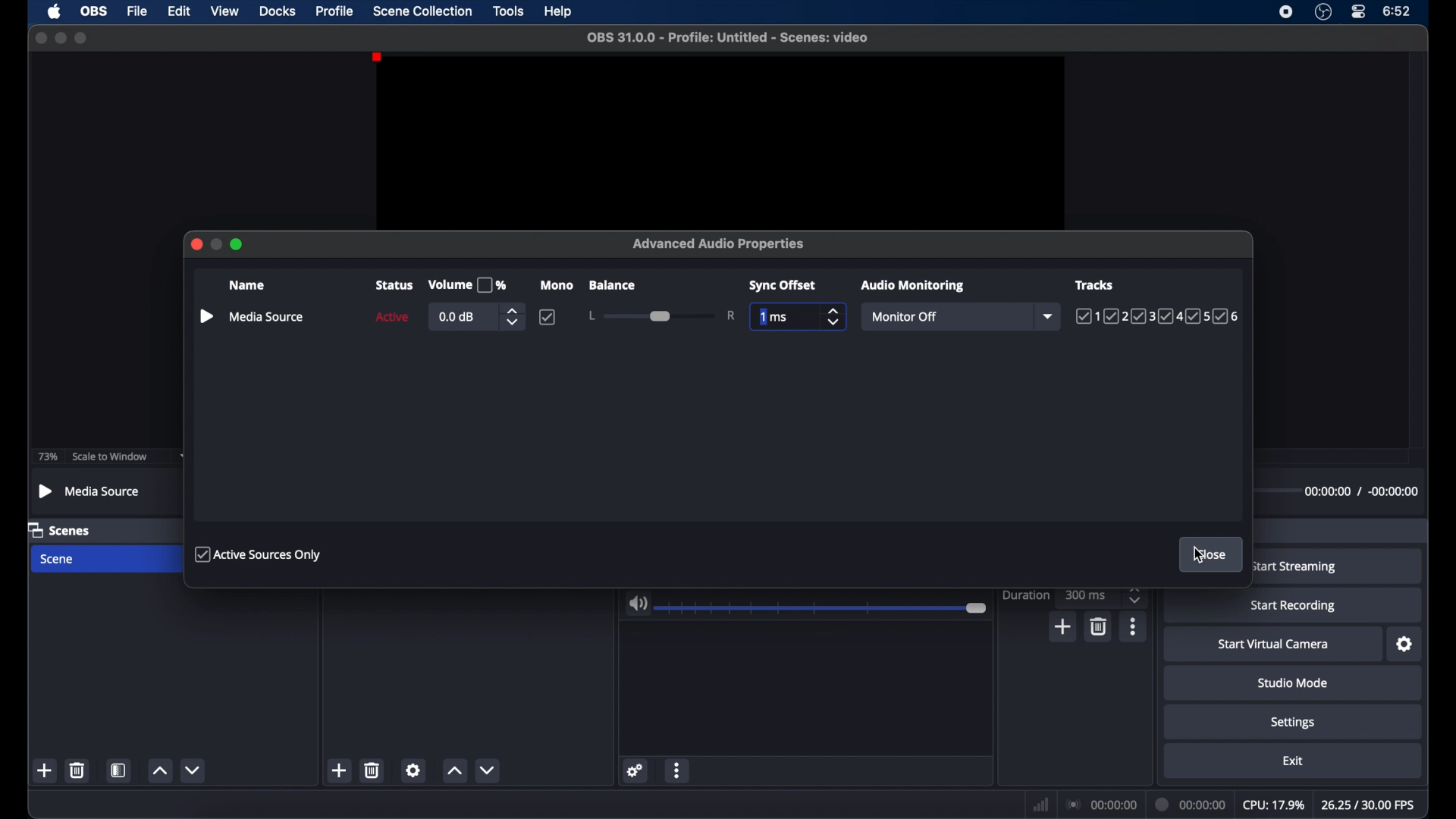  What do you see at coordinates (59, 529) in the screenshot?
I see `scenes` at bounding box center [59, 529].